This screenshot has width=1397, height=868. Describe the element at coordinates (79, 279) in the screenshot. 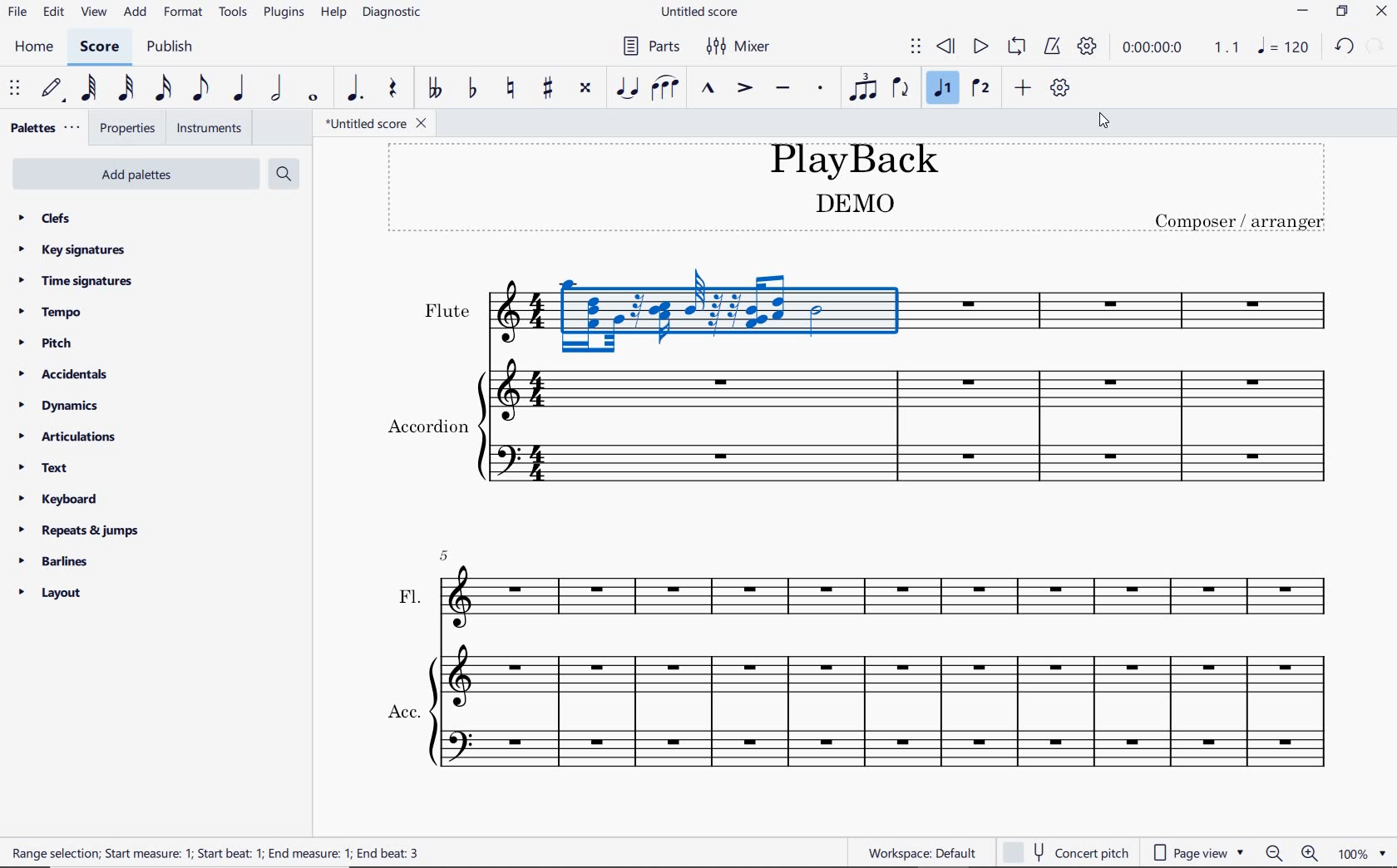

I see `time signatures` at that location.